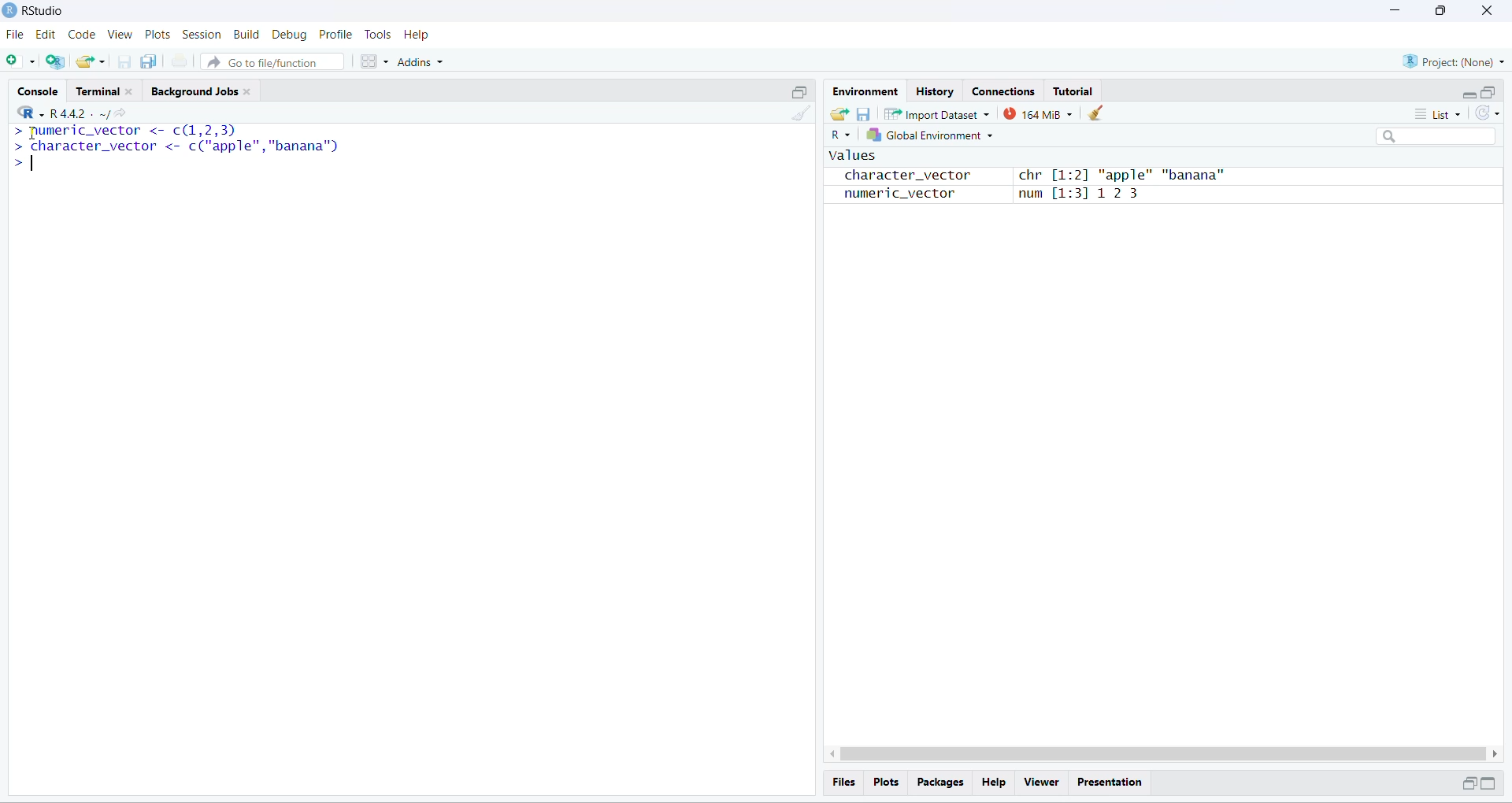 Image resolution: width=1512 pixels, height=803 pixels. Describe the element at coordinates (335, 35) in the screenshot. I see `Profile` at that location.